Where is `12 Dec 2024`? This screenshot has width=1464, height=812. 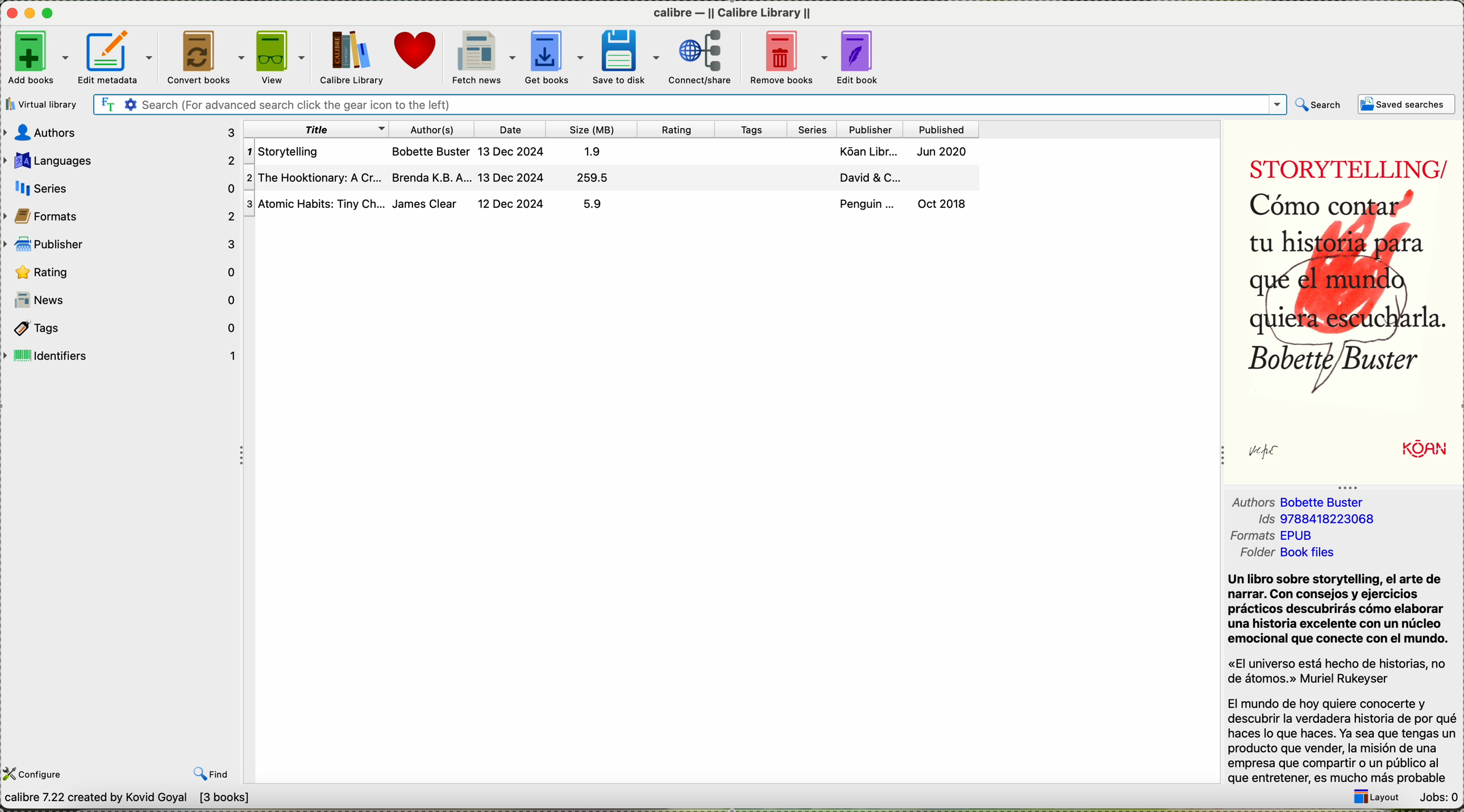 12 Dec 2024 is located at coordinates (514, 205).